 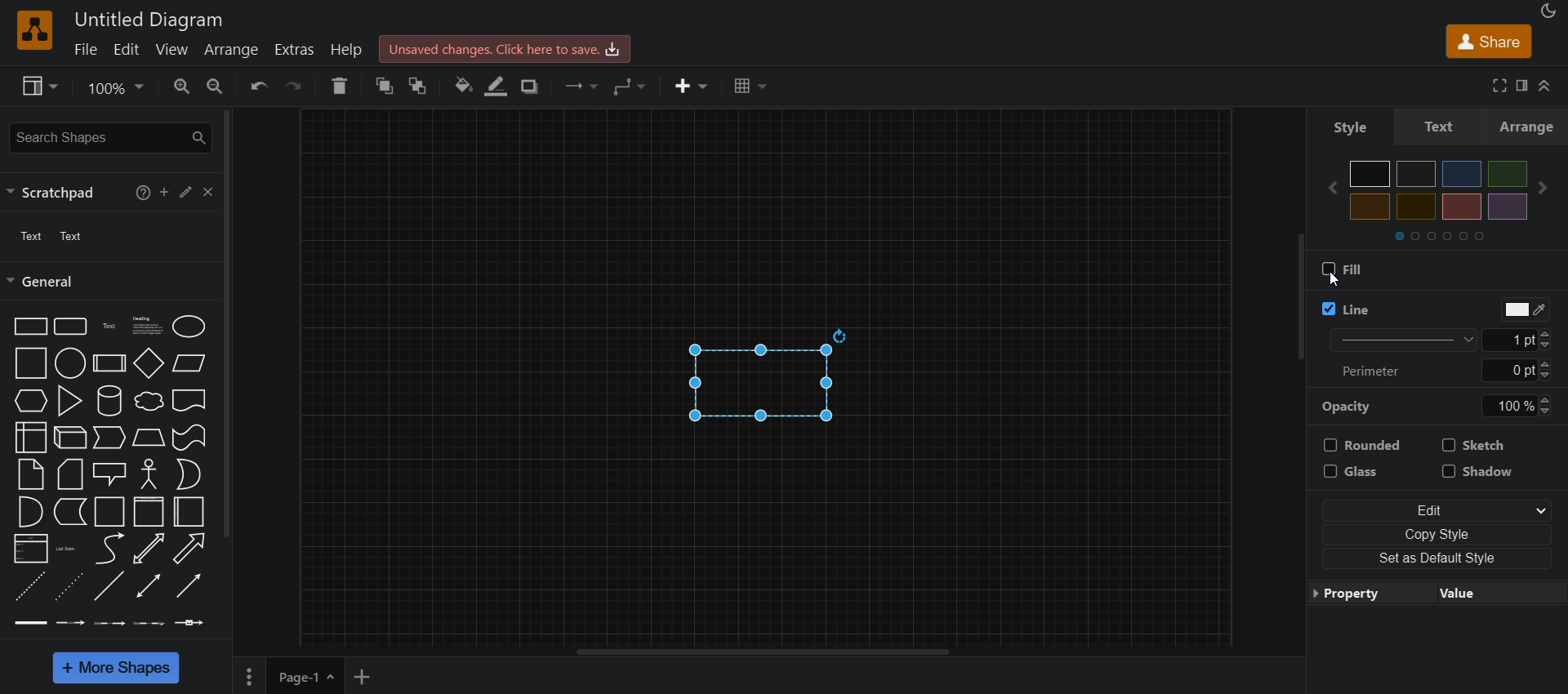 I want to click on current page, so click(x=307, y=676).